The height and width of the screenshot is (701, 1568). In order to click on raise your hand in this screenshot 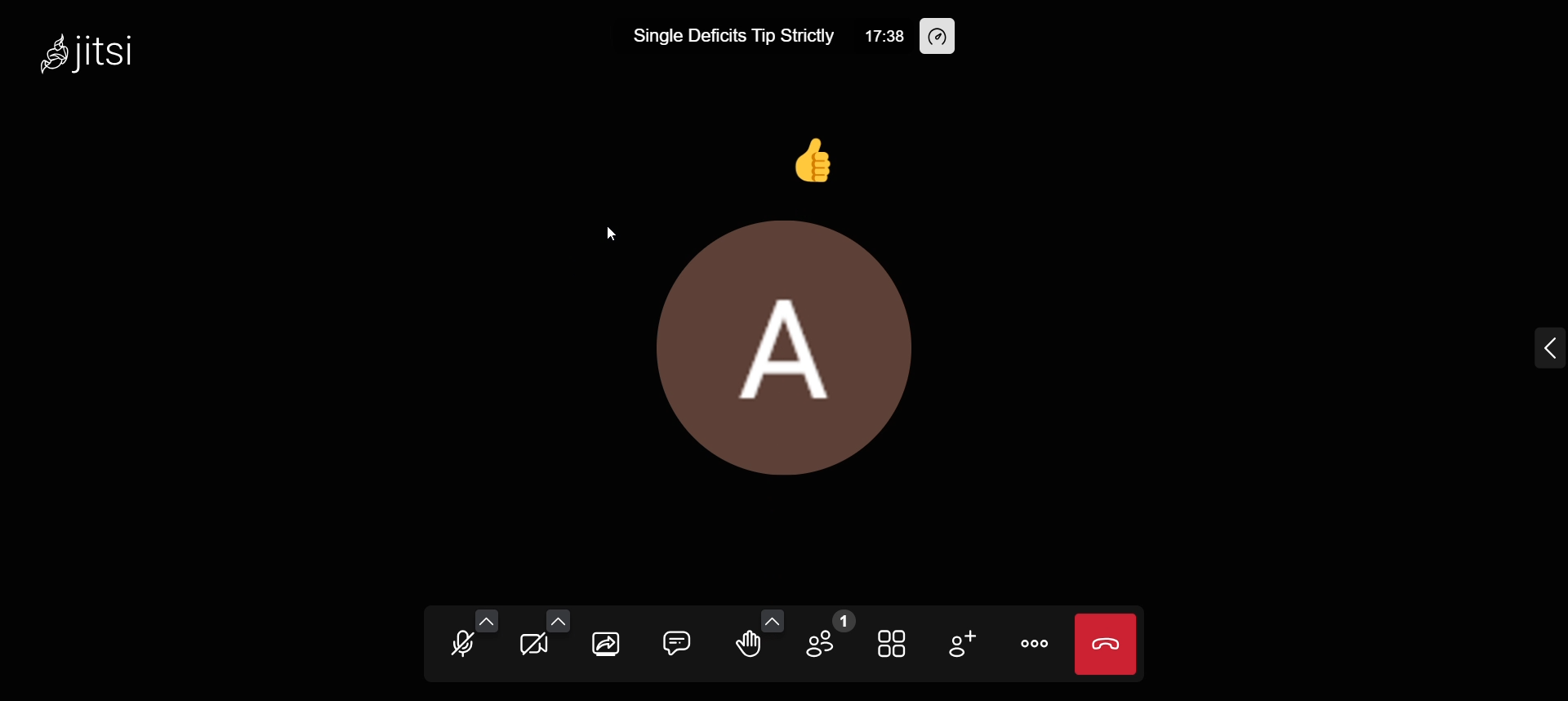, I will do `click(745, 653)`.